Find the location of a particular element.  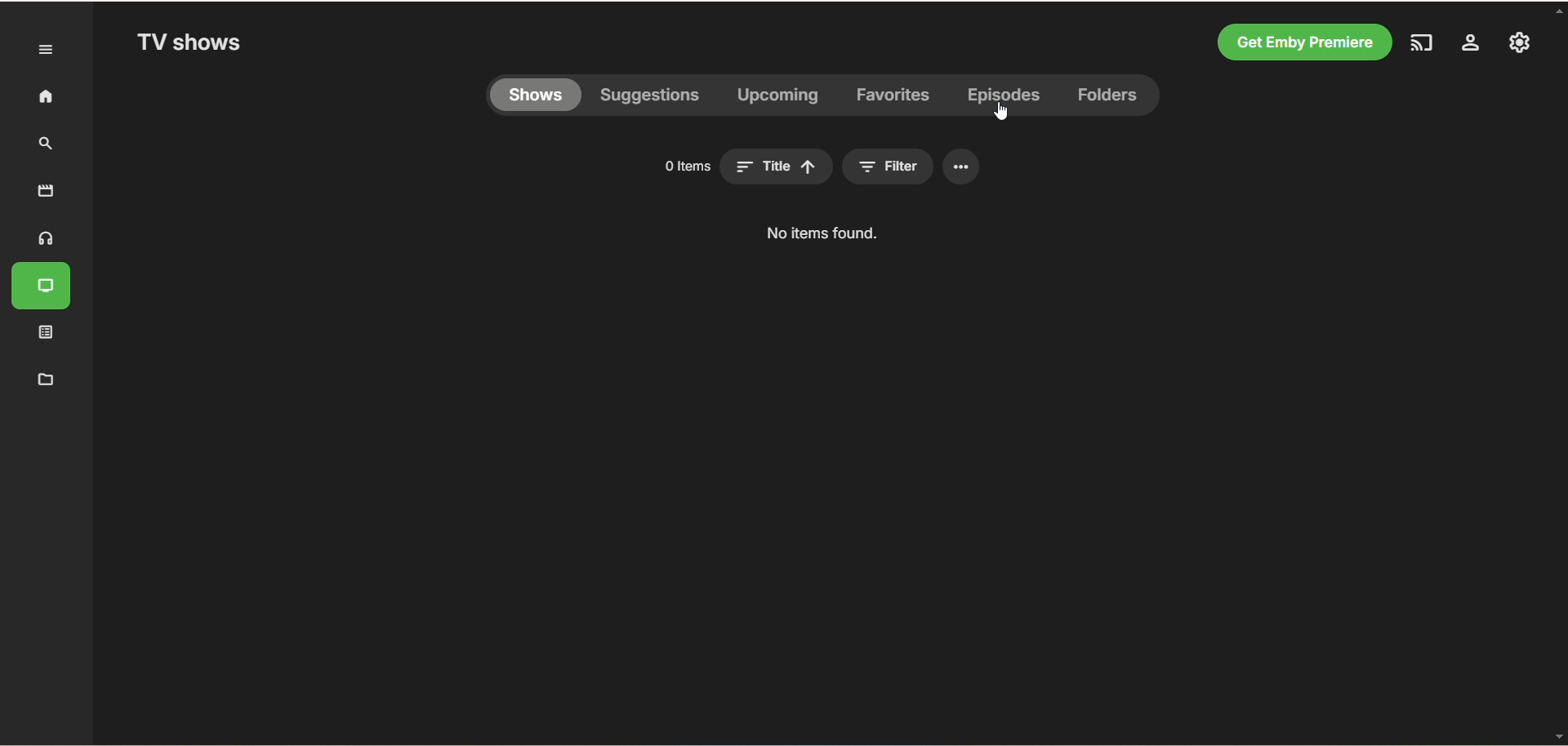

TV shows is located at coordinates (47, 287).